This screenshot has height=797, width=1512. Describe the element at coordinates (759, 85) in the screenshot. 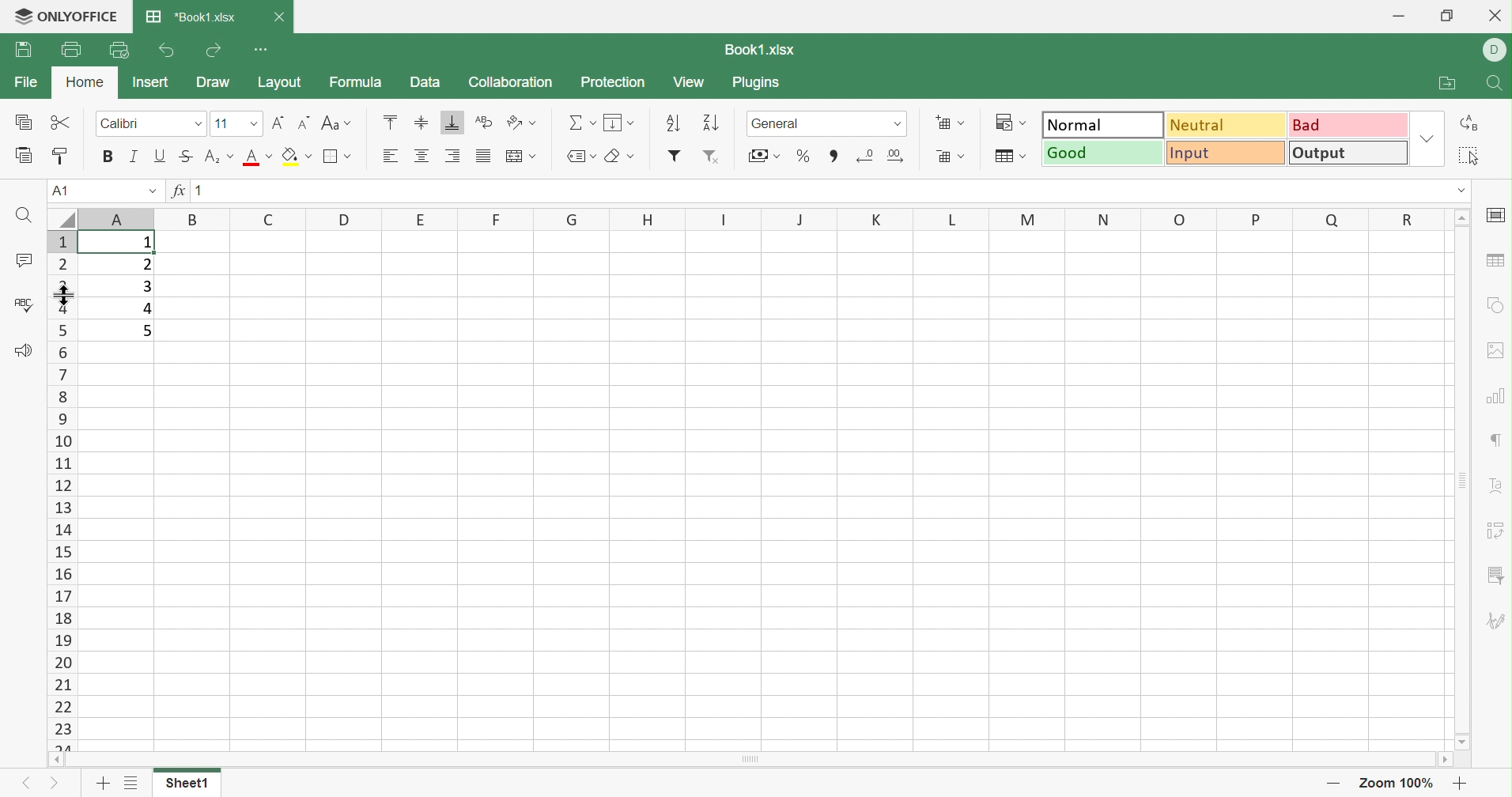

I see `Plugins` at that location.